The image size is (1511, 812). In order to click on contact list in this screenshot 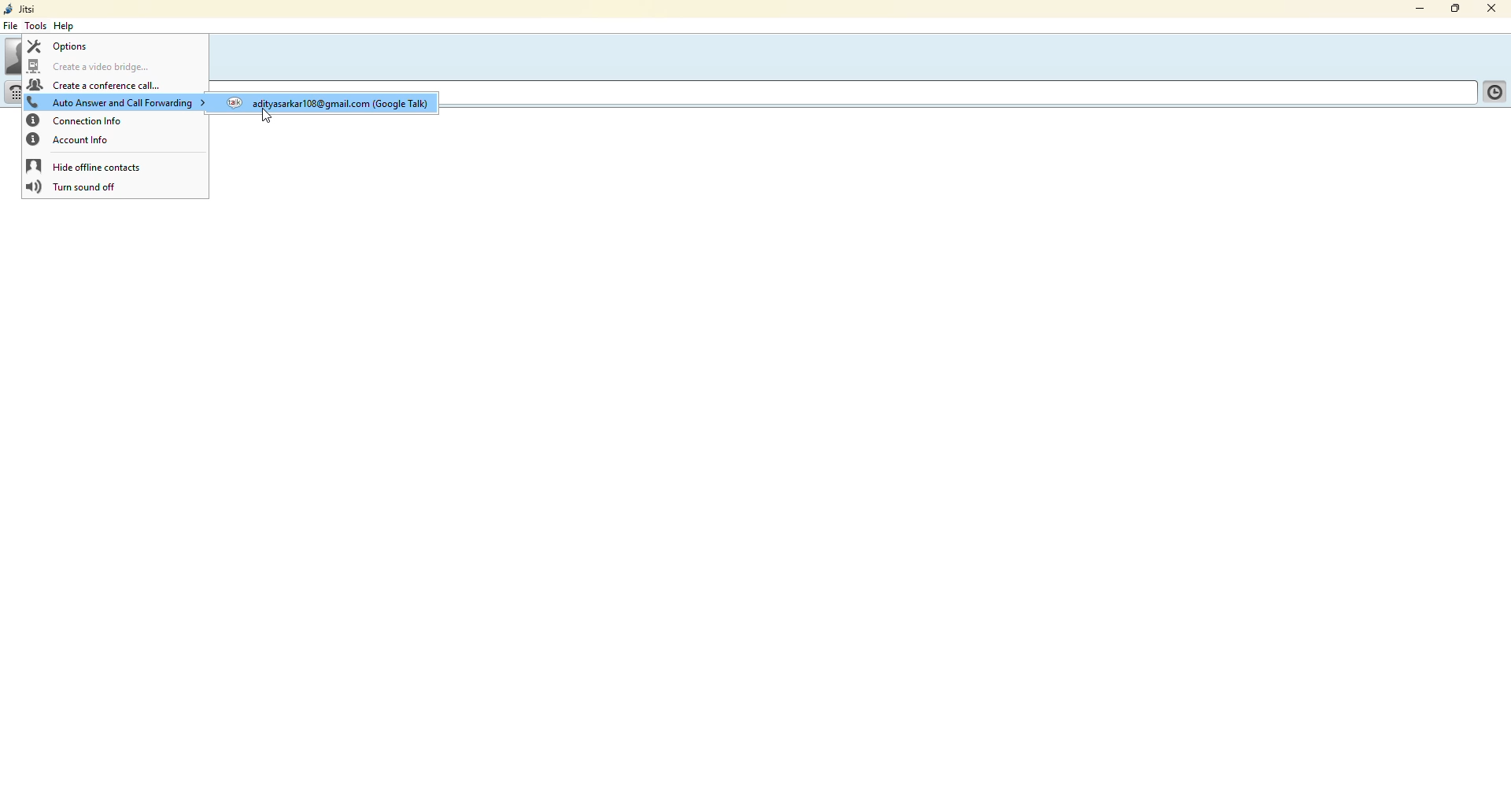, I will do `click(1492, 94)`.